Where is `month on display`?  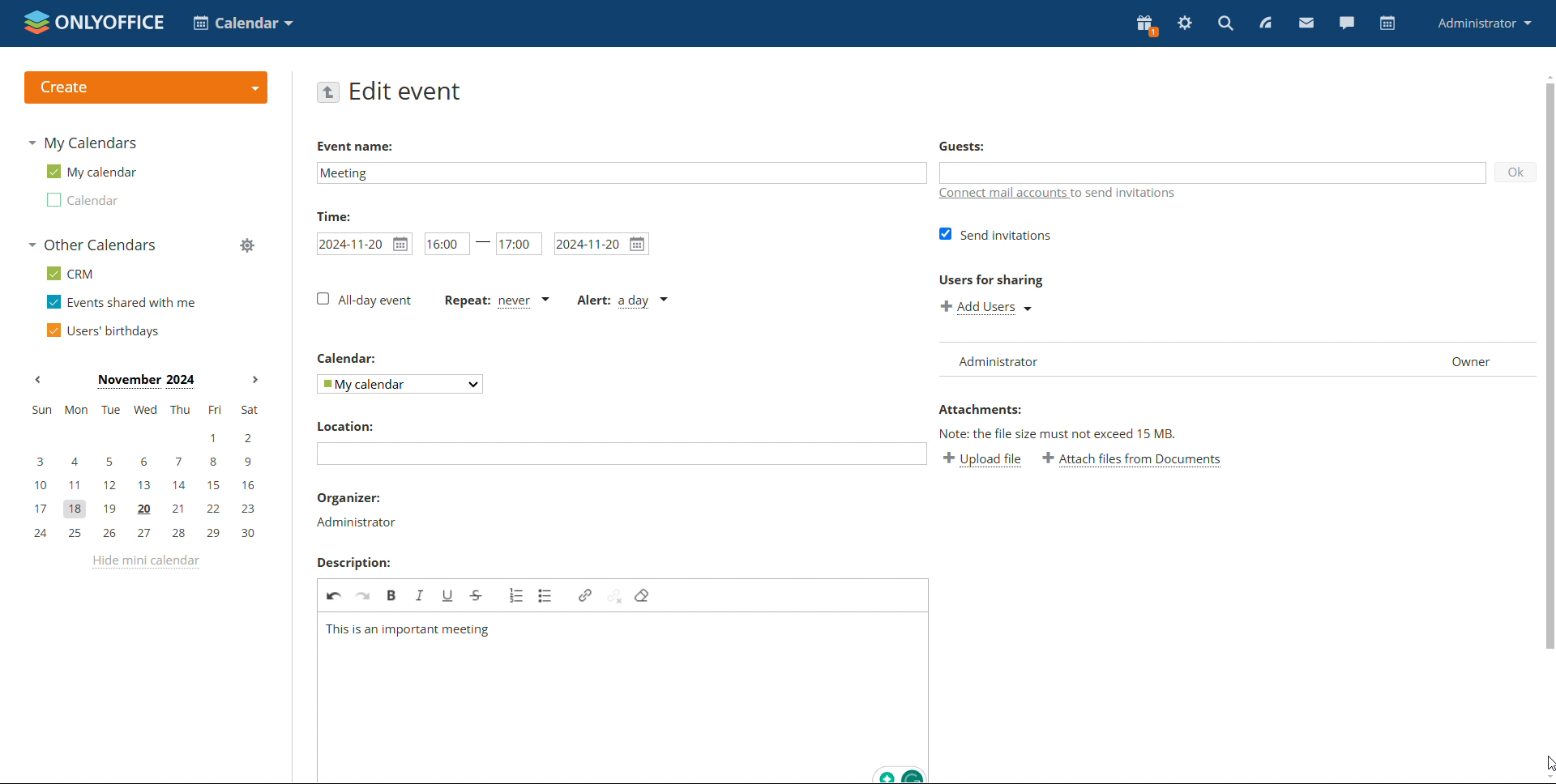 month on display is located at coordinates (146, 381).